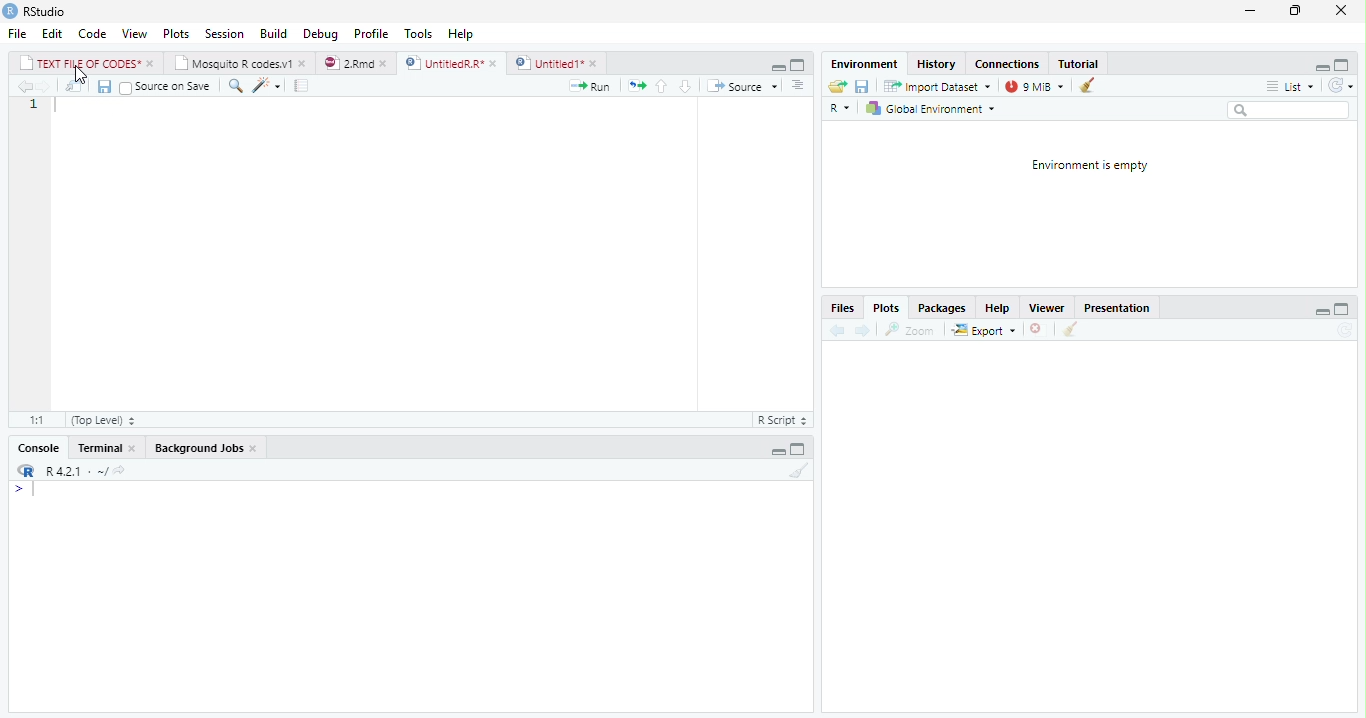  I want to click on hide console, so click(1344, 310).